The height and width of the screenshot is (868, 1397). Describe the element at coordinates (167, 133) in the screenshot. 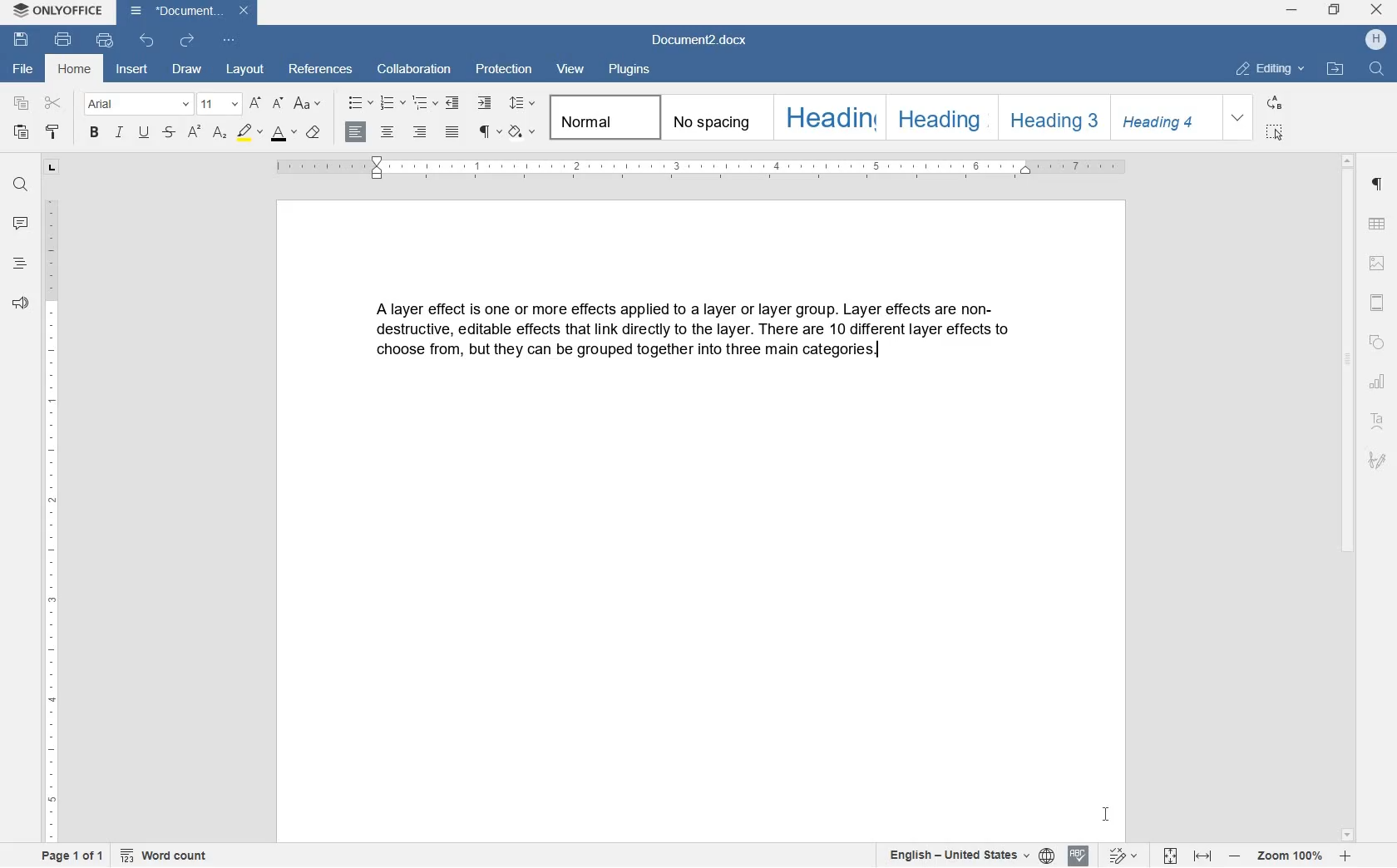

I see `STRIKETHROUGH` at that location.